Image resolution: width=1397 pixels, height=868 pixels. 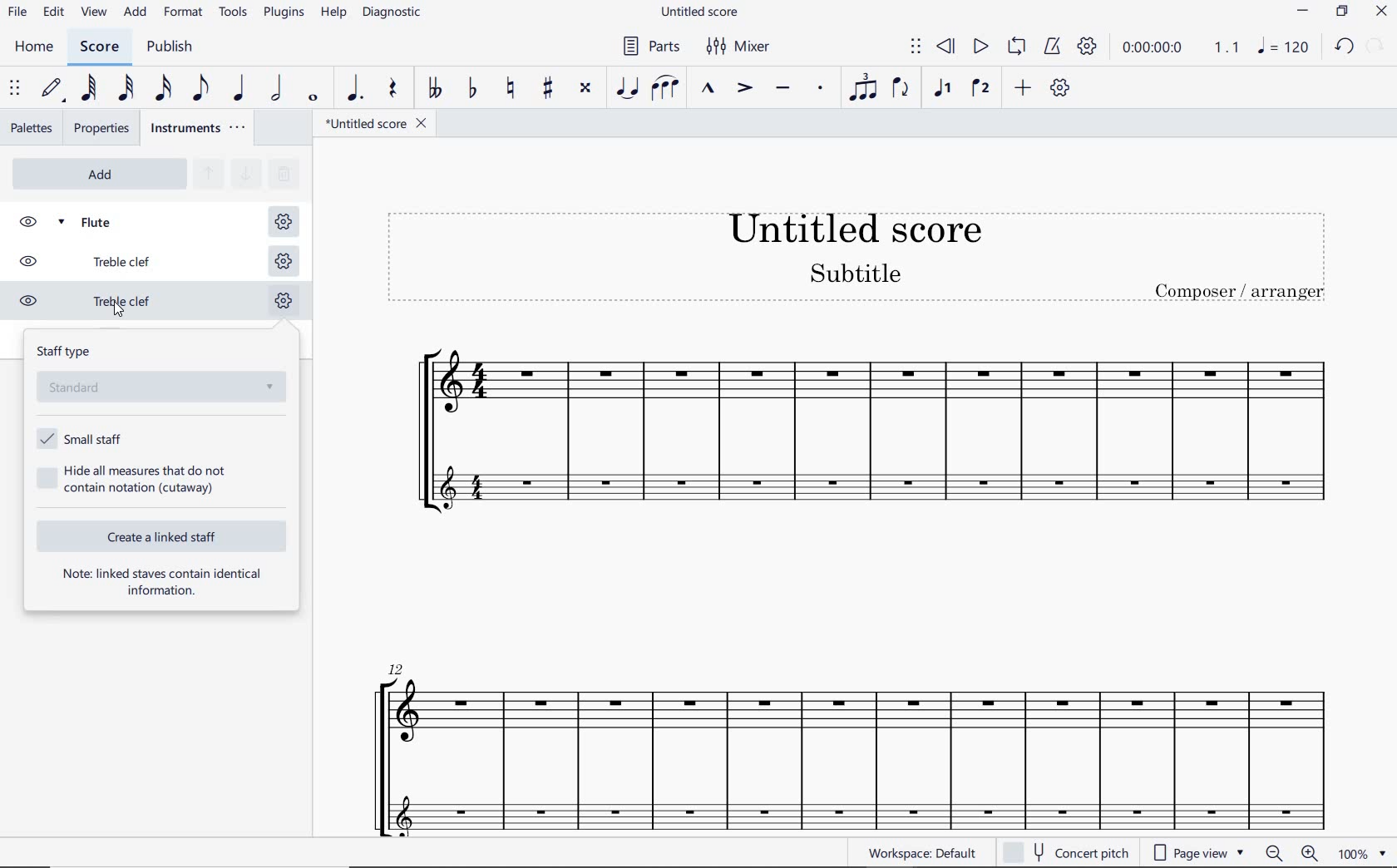 I want to click on Flute Instrument, so click(x=850, y=395).